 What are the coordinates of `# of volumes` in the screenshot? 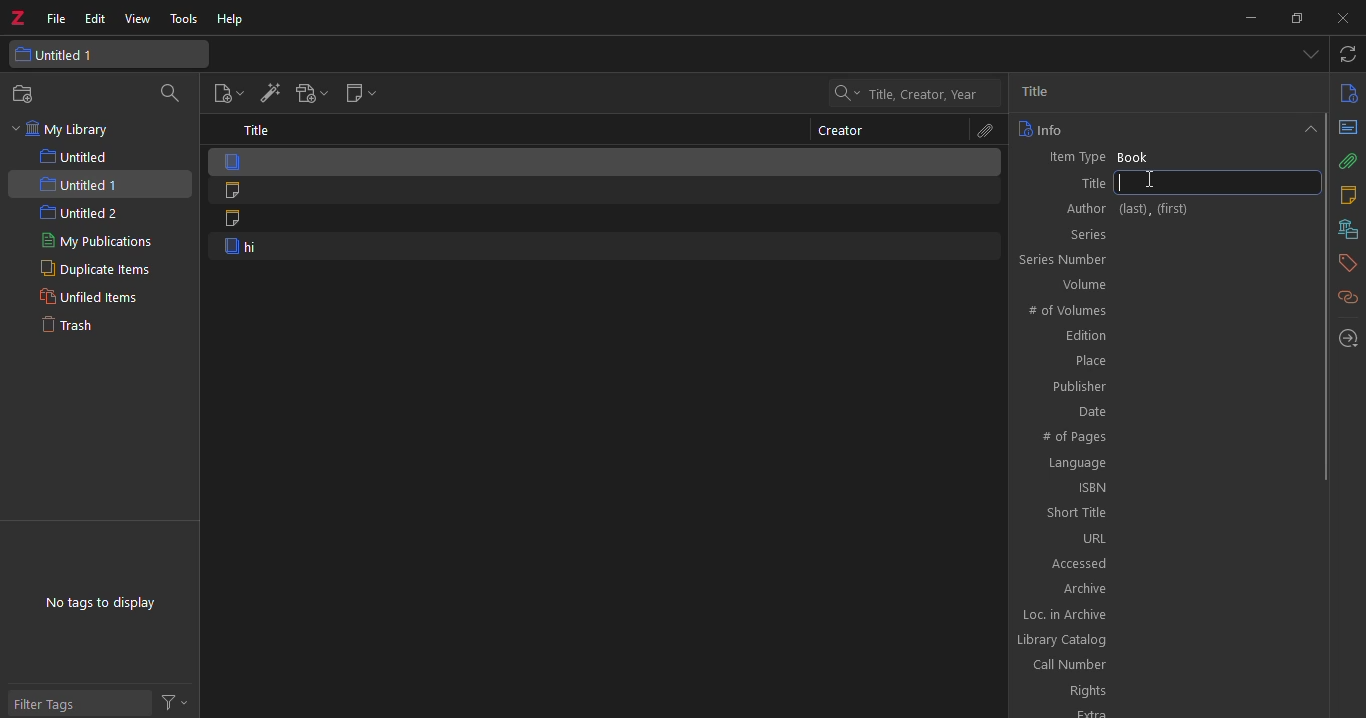 It's located at (1165, 309).